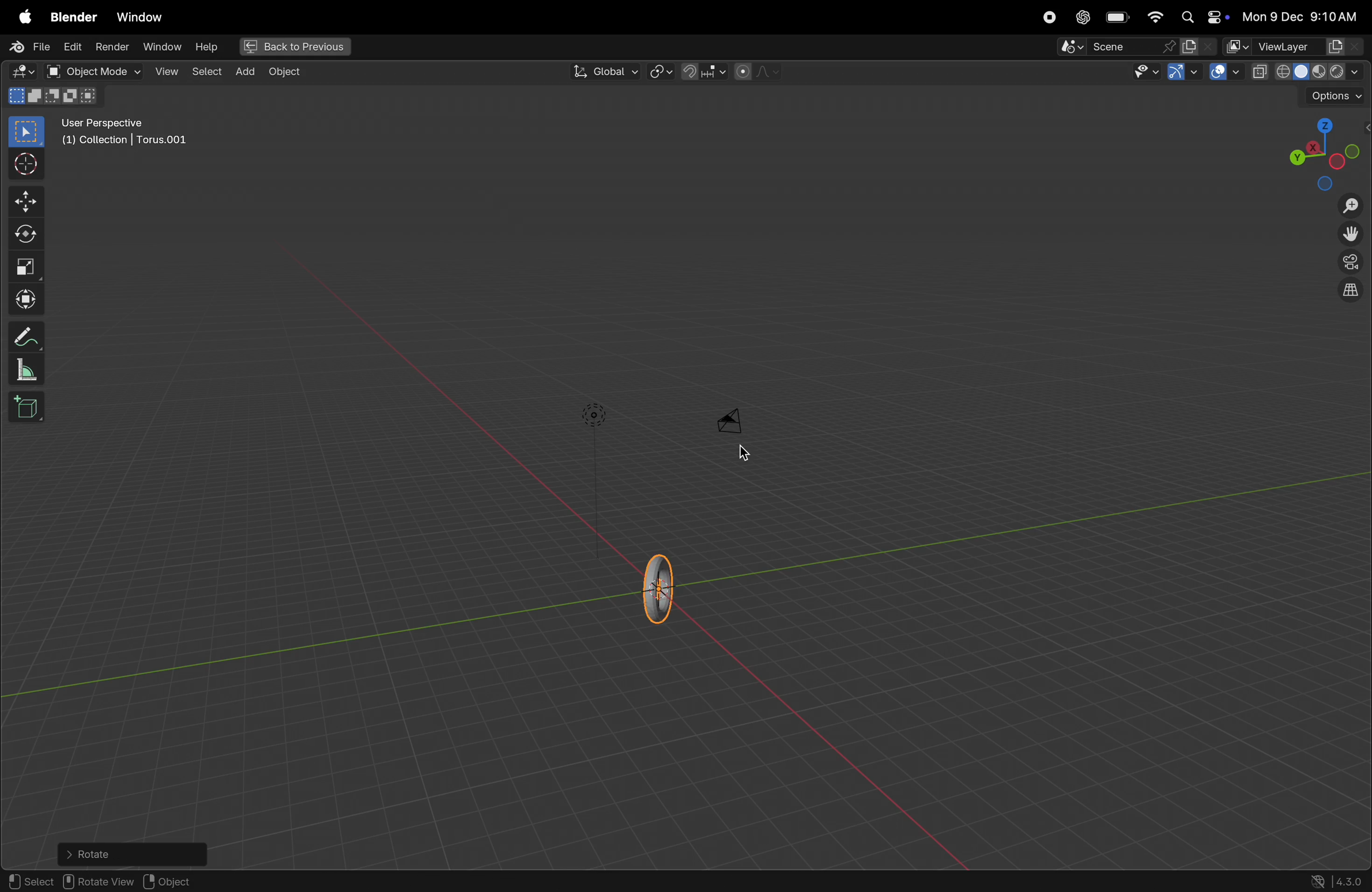 The image size is (1372, 892). What do you see at coordinates (749, 455) in the screenshot?
I see `cursor` at bounding box center [749, 455].